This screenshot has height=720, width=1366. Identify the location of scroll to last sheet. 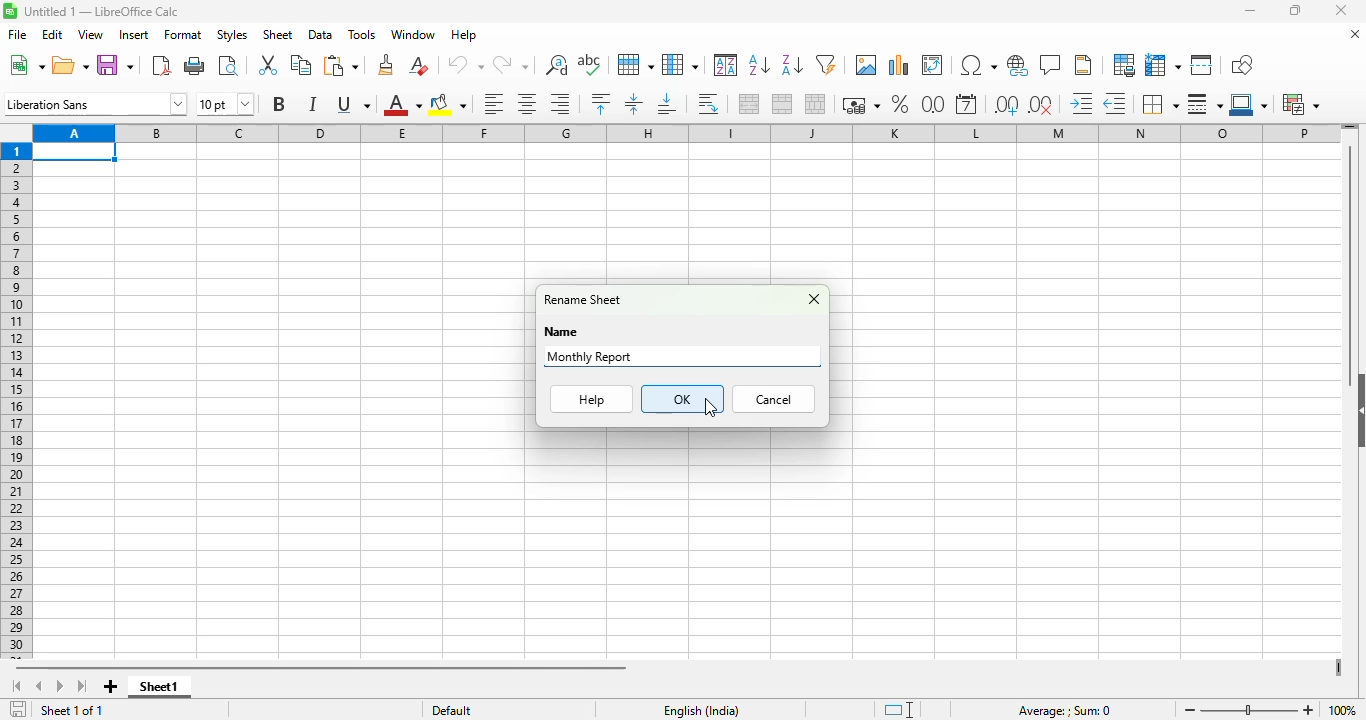
(82, 687).